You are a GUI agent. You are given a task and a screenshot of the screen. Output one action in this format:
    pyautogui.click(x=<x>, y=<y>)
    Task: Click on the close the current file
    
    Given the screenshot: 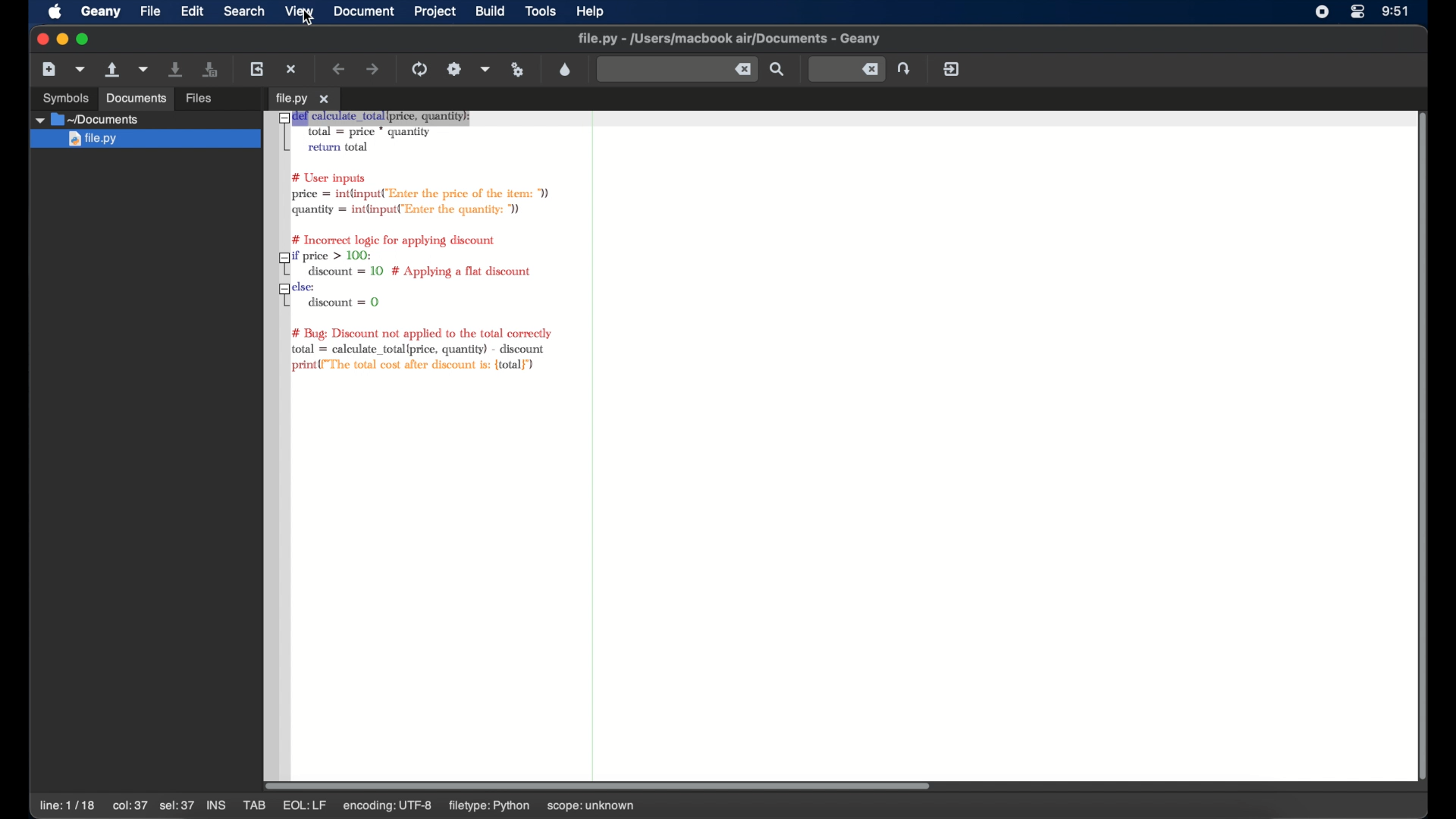 What is the action you would take?
    pyautogui.click(x=292, y=68)
    